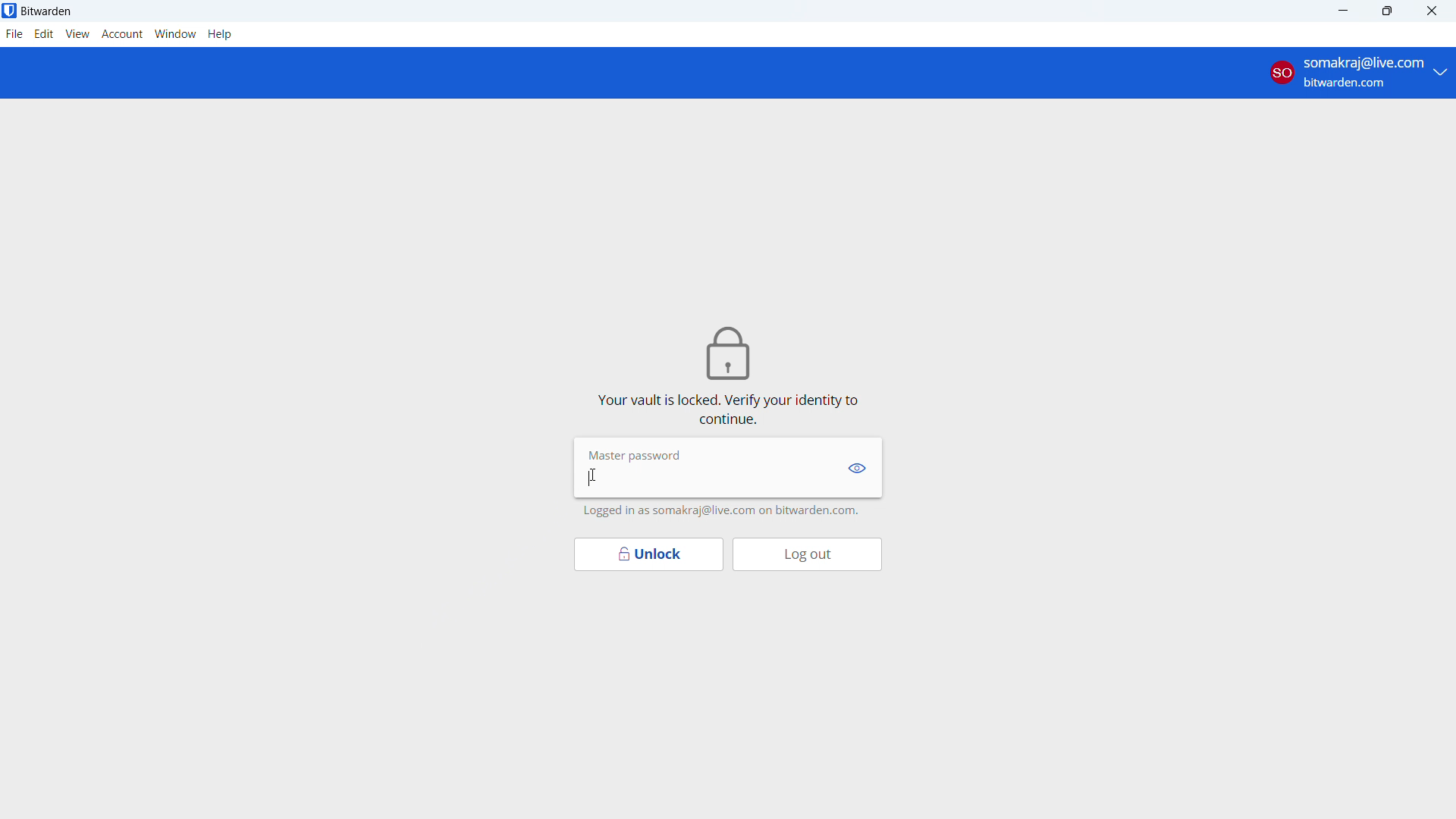  Describe the element at coordinates (221, 34) in the screenshot. I see `help` at that location.